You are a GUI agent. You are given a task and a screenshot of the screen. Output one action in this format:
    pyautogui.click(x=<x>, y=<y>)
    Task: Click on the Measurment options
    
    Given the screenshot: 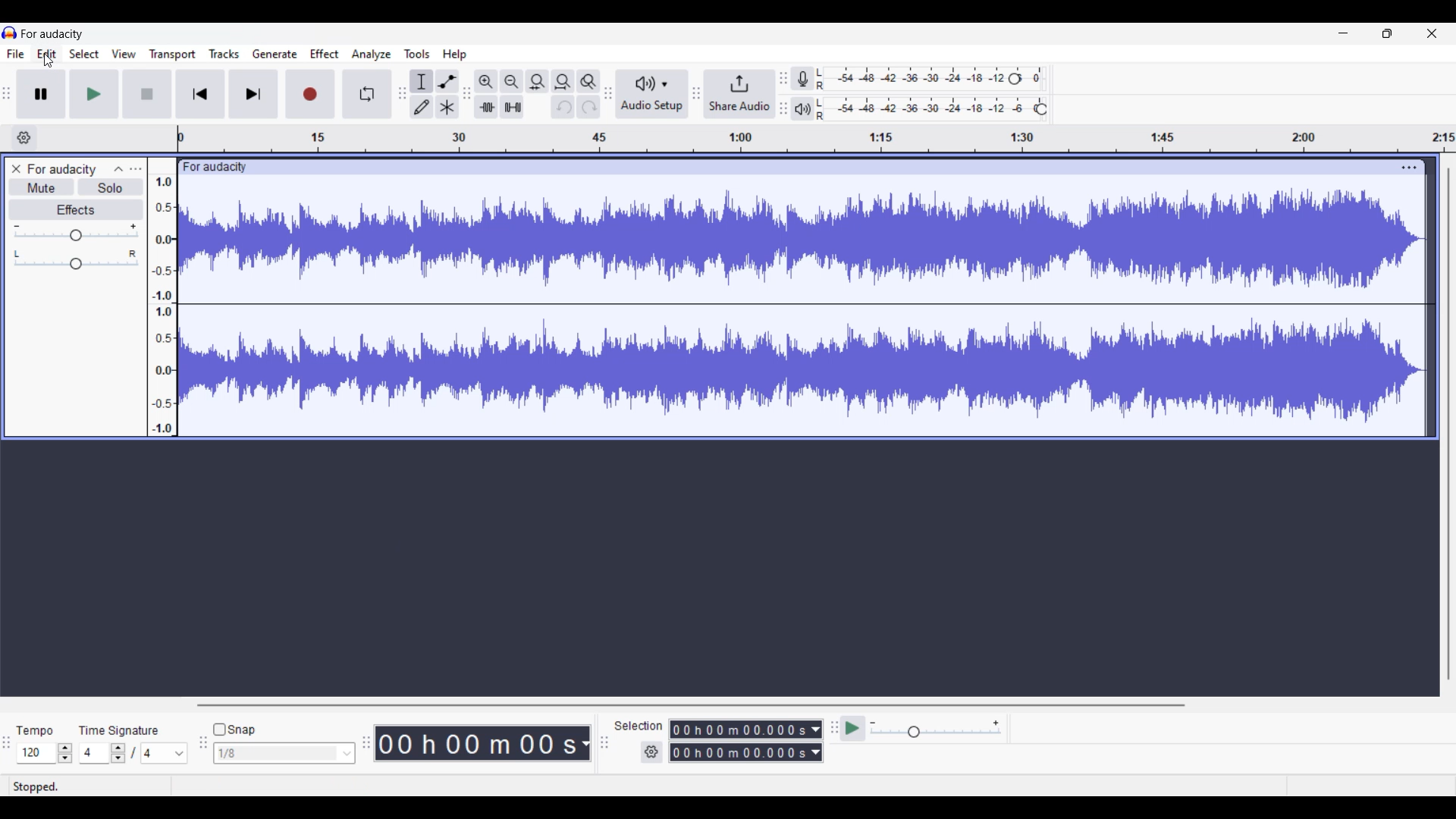 What is the action you would take?
    pyautogui.click(x=746, y=741)
    